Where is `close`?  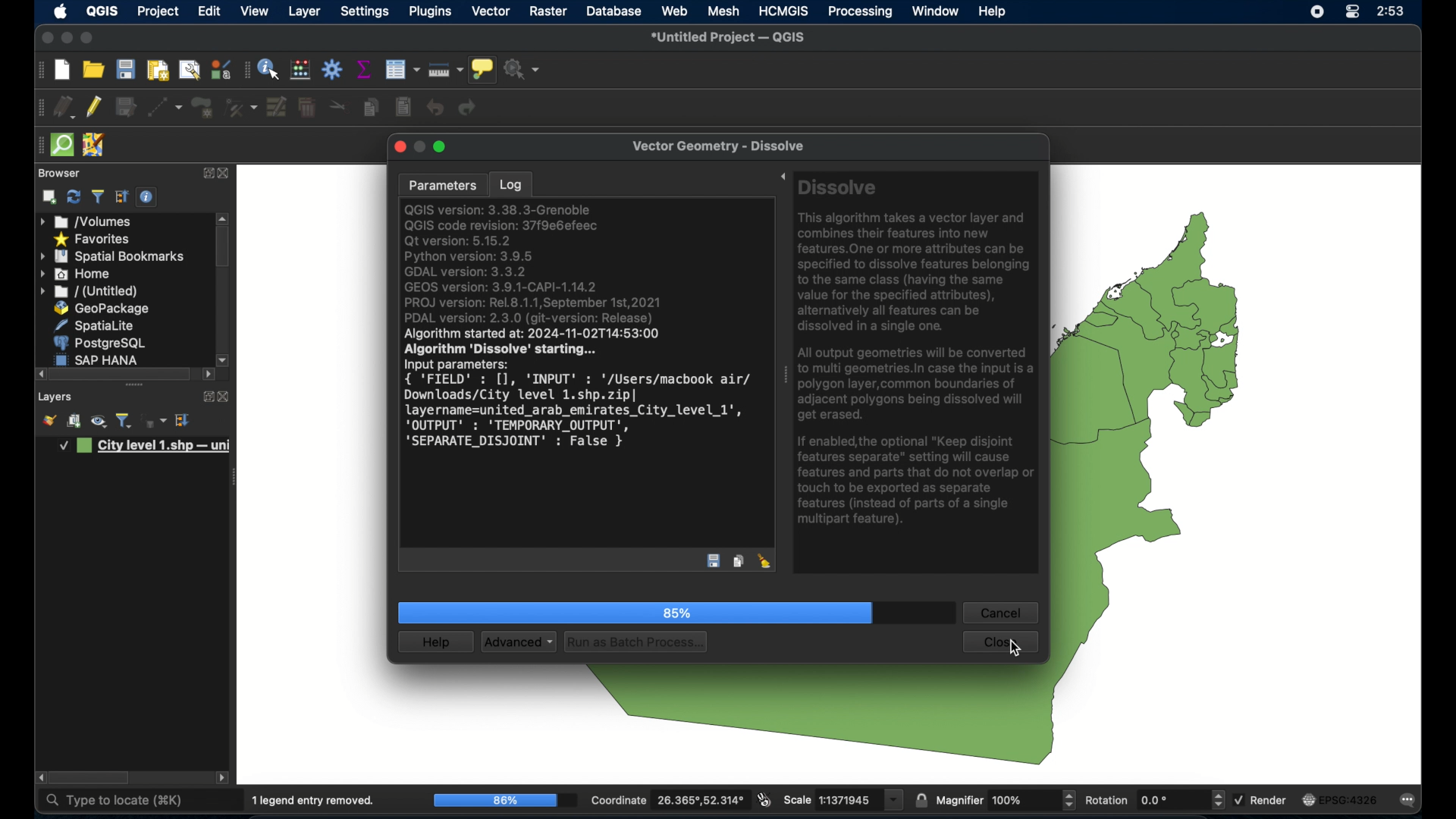 close is located at coordinates (224, 397).